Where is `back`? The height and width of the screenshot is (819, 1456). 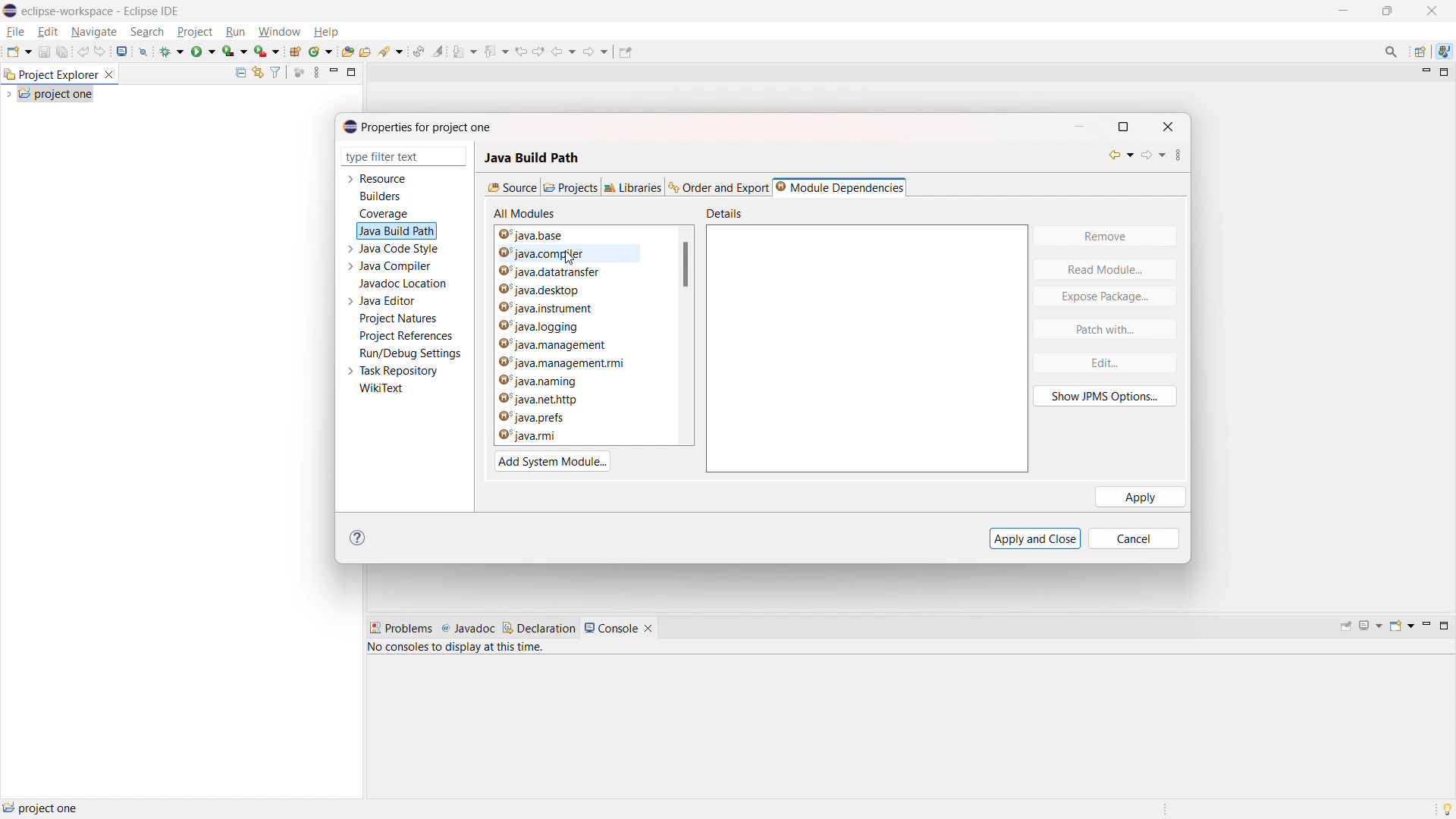 back is located at coordinates (1116, 155).